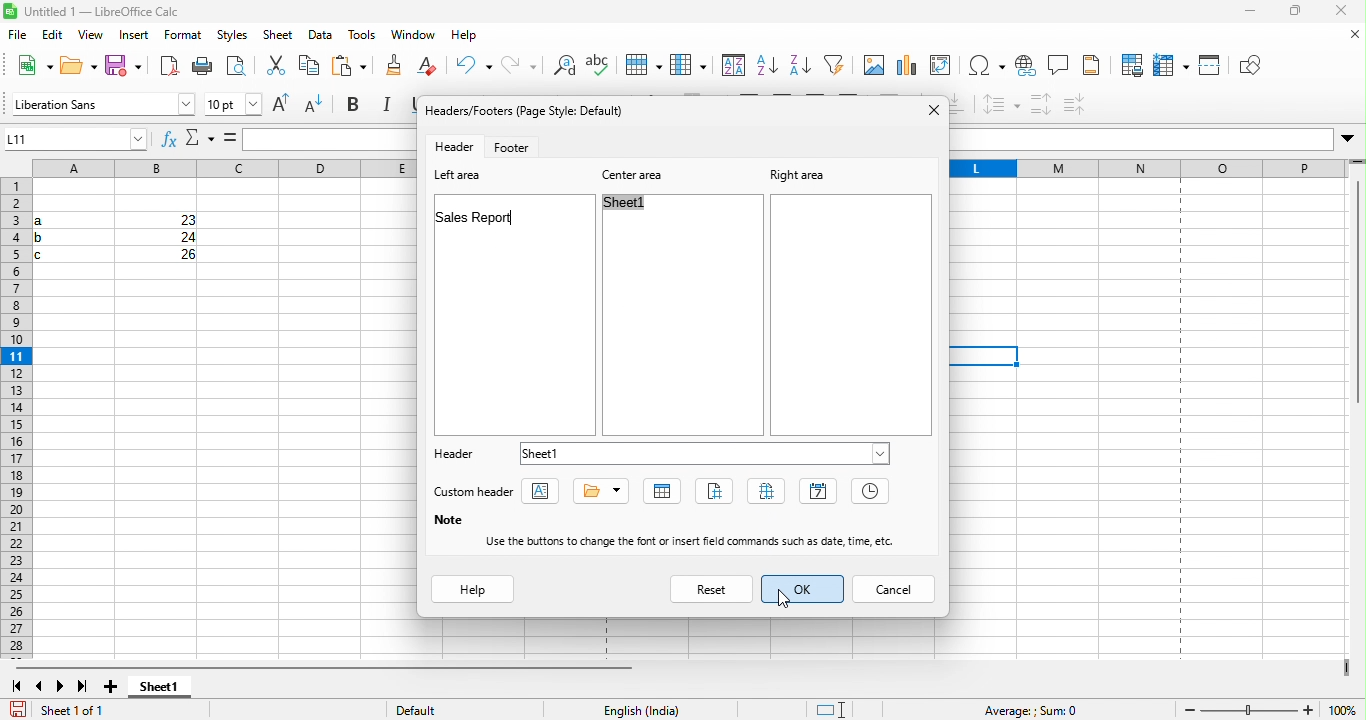 This screenshot has width=1366, height=720. Describe the element at coordinates (1252, 67) in the screenshot. I see `show draw function` at that location.